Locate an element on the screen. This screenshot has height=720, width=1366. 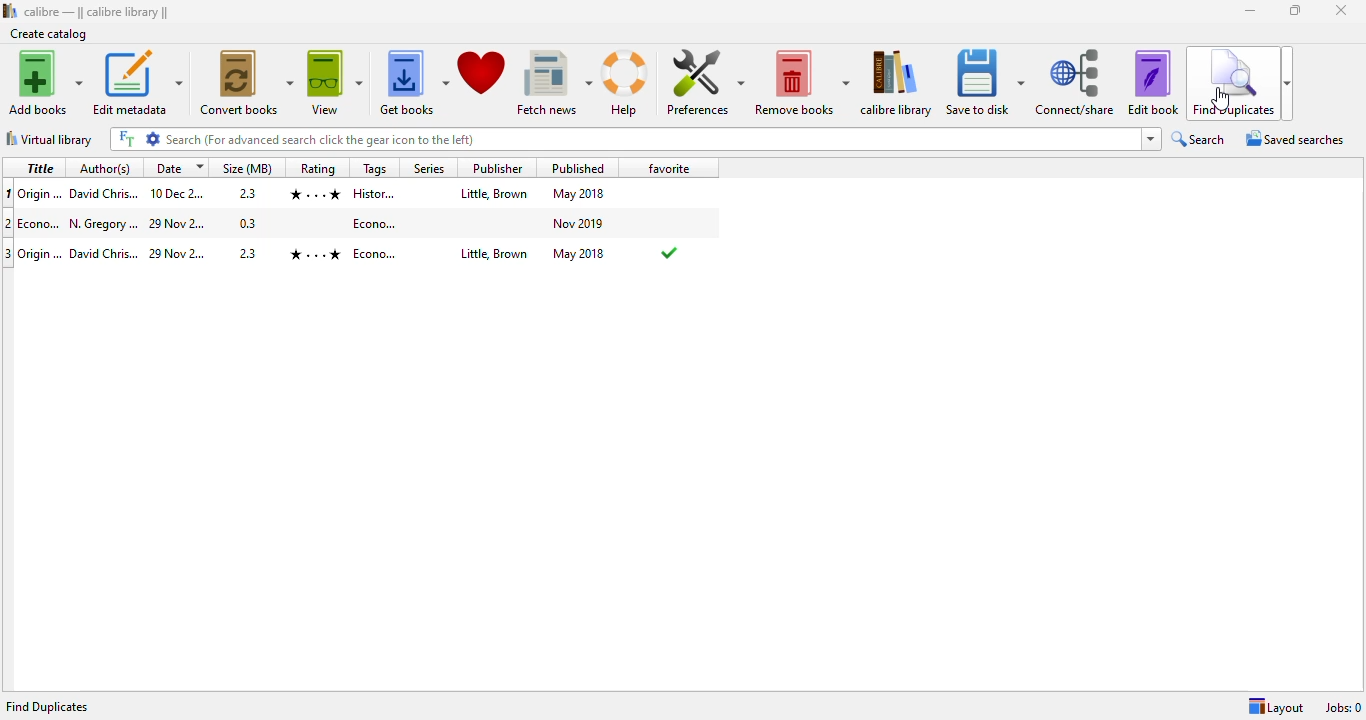
connect/share is located at coordinates (1076, 83).